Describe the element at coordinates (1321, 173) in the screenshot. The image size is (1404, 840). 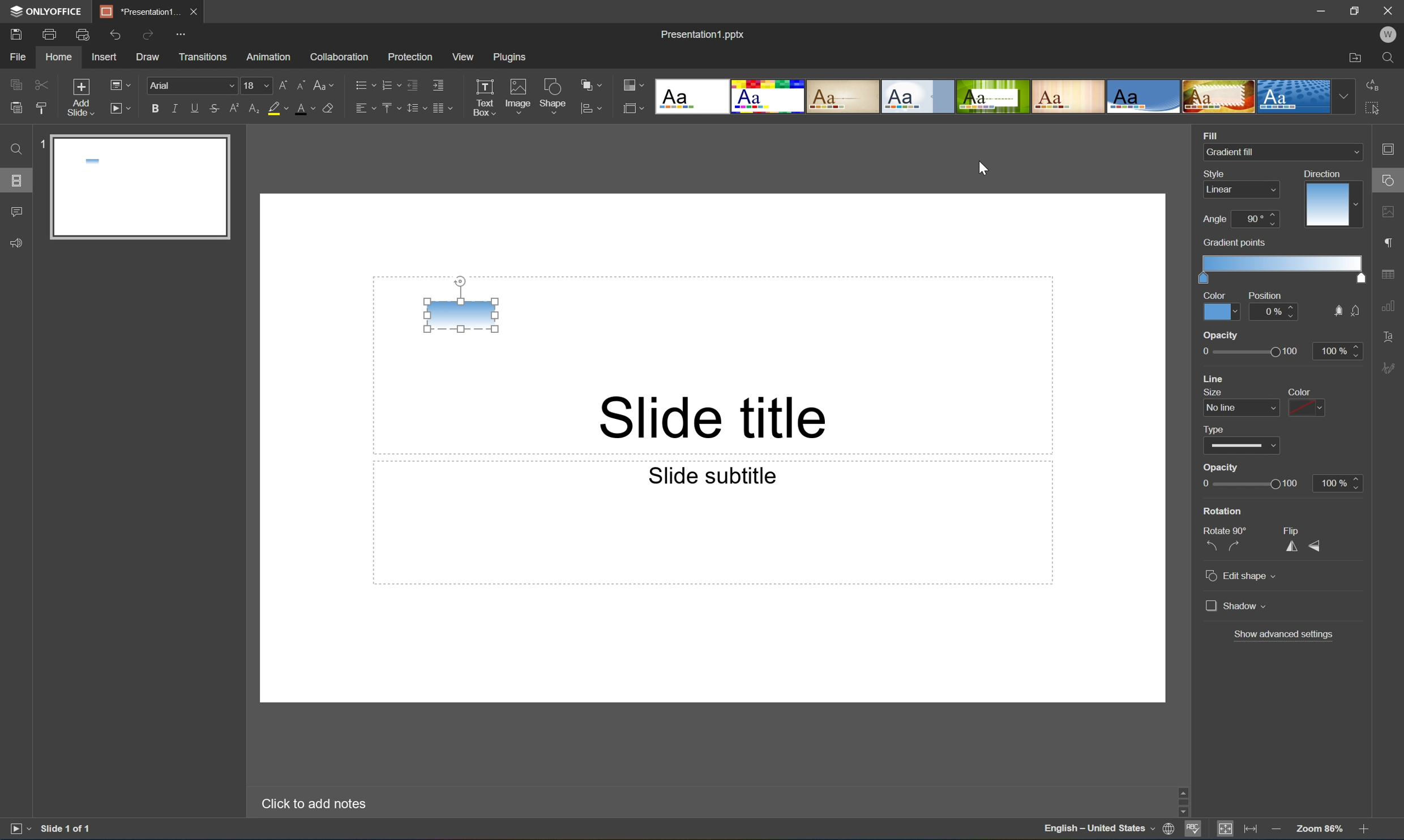
I see `Direction` at that location.